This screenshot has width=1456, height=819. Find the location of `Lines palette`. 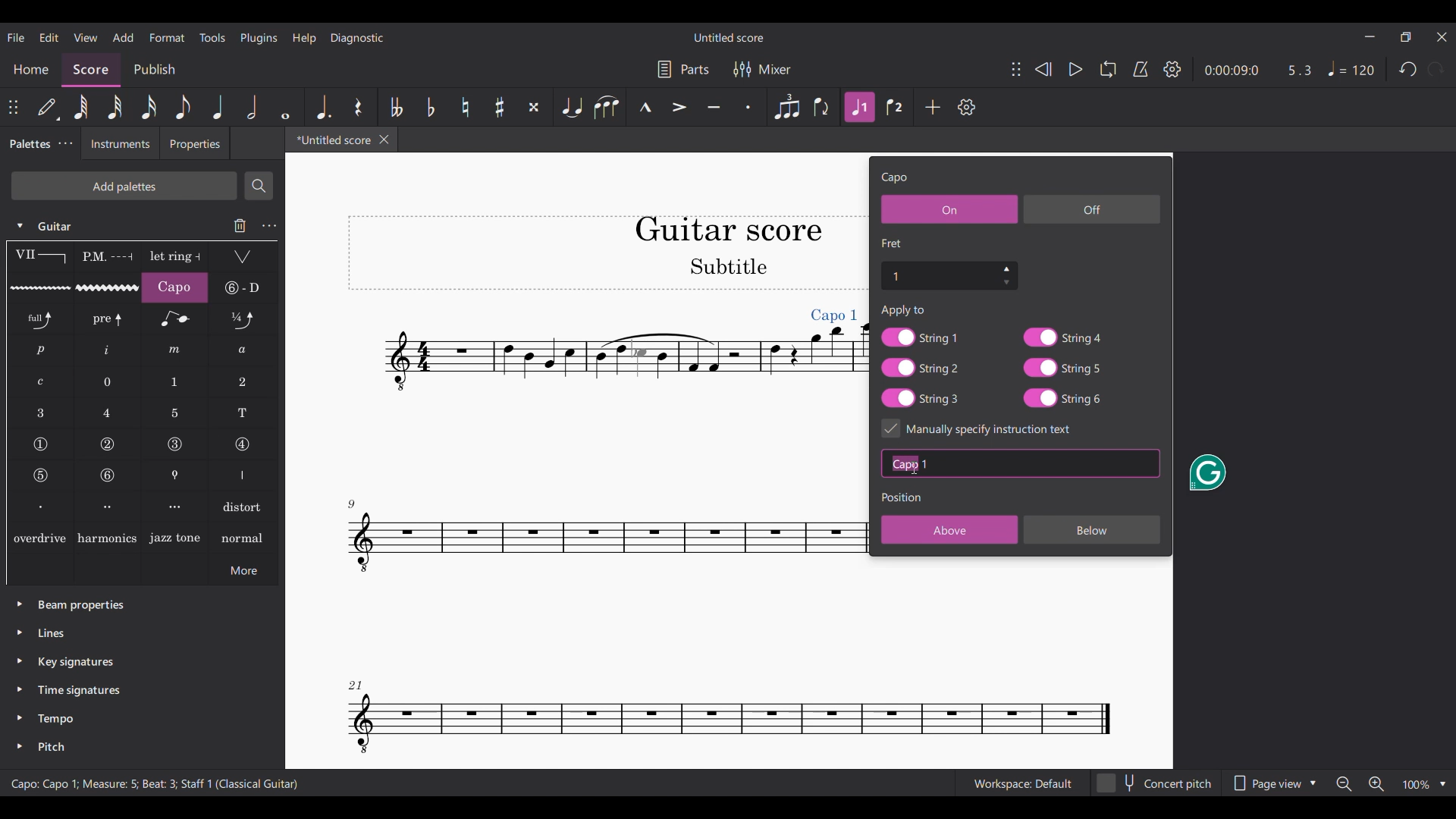

Lines palette is located at coordinates (52, 632).